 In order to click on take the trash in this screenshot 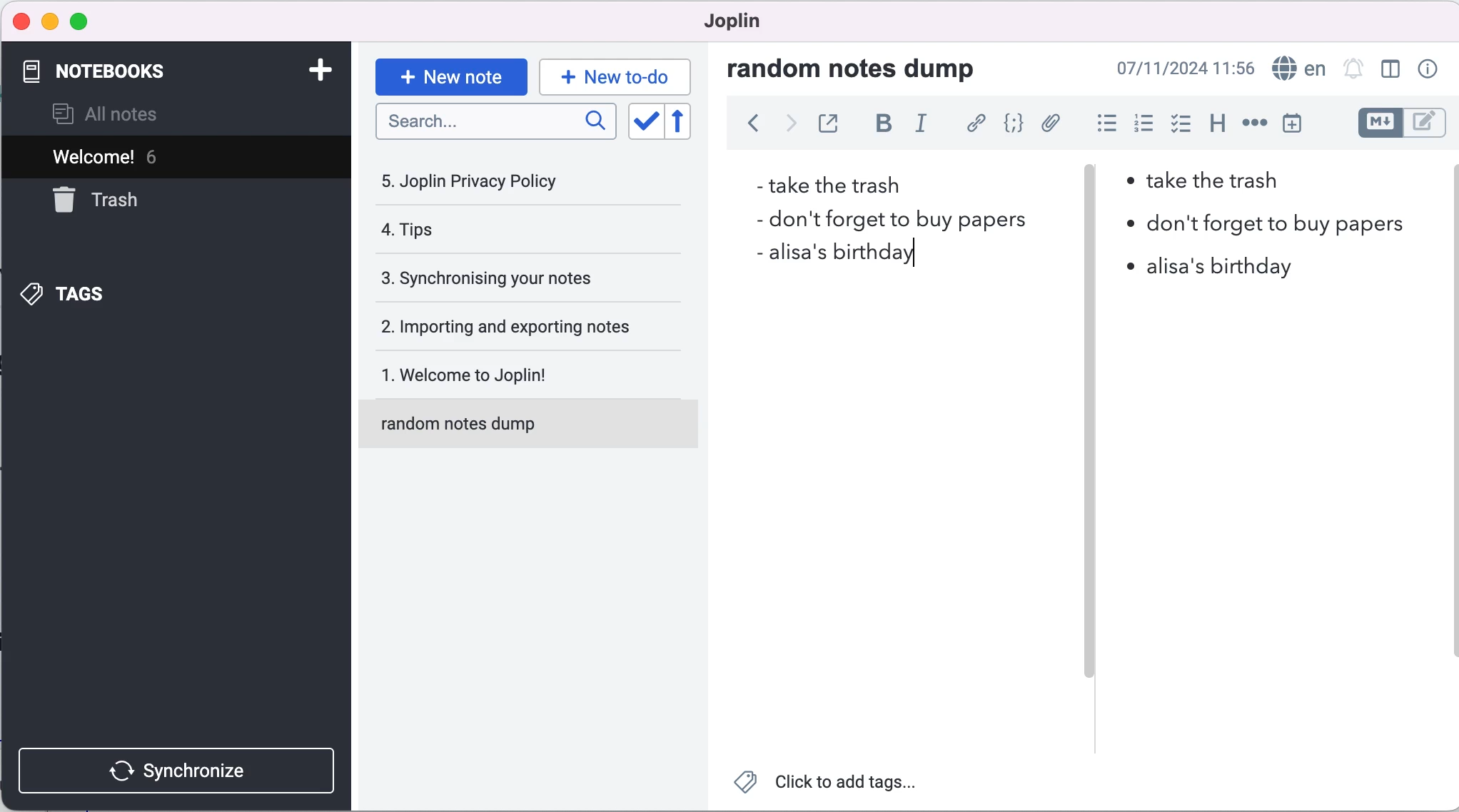, I will do `click(1223, 186)`.